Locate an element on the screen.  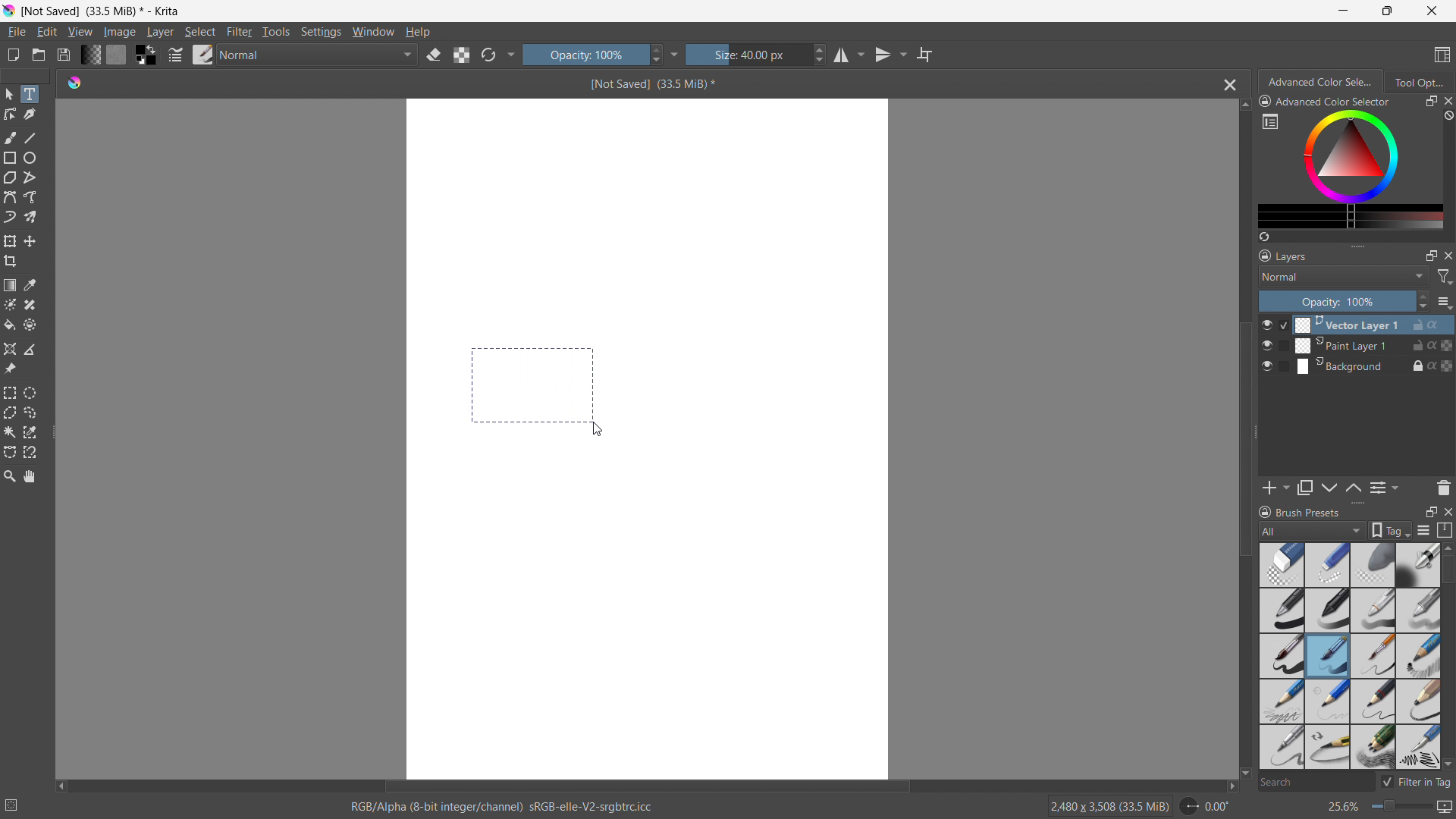
pan tool is located at coordinates (30, 476).